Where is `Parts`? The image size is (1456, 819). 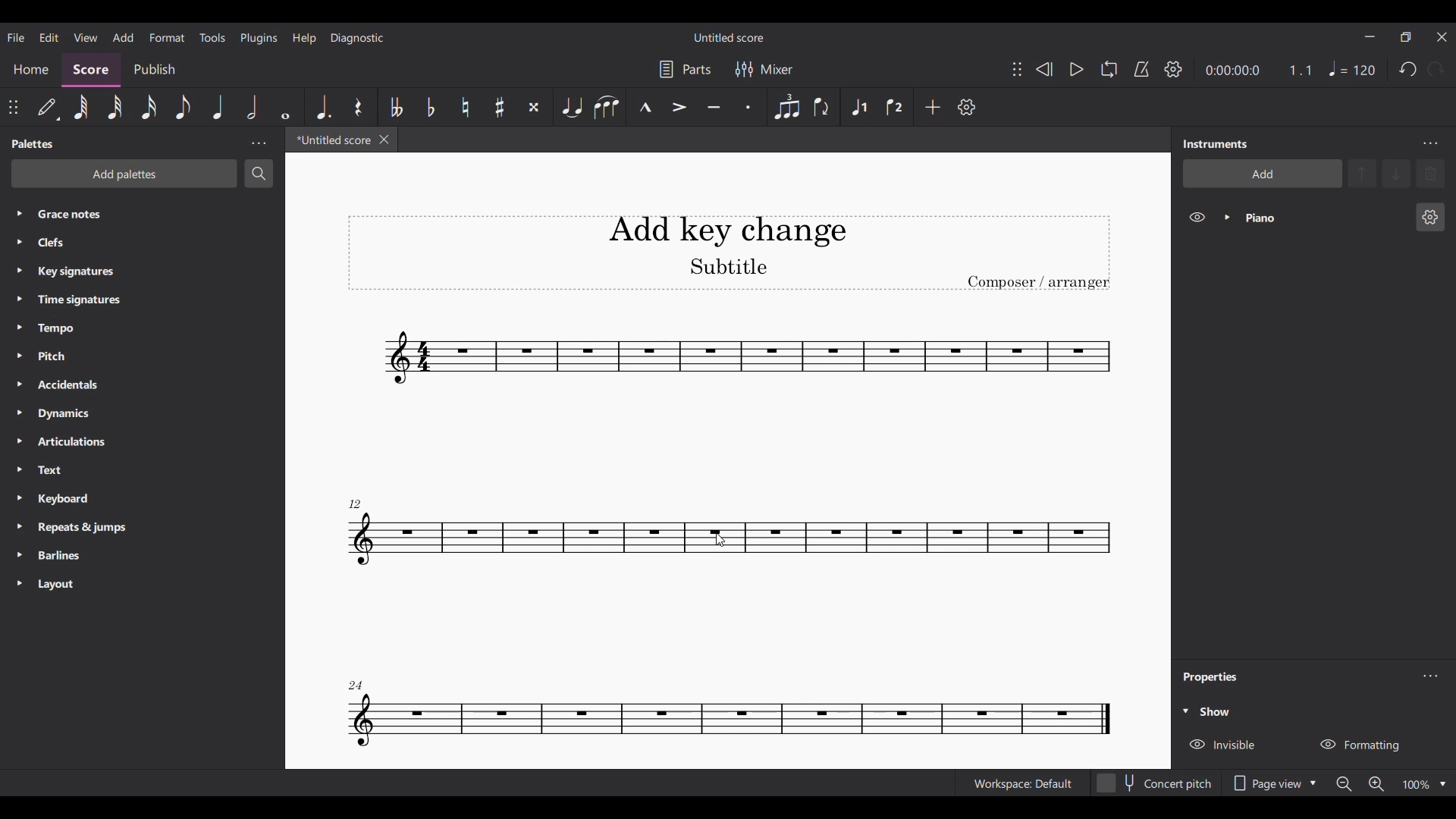 Parts is located at coordinates (684, 69).